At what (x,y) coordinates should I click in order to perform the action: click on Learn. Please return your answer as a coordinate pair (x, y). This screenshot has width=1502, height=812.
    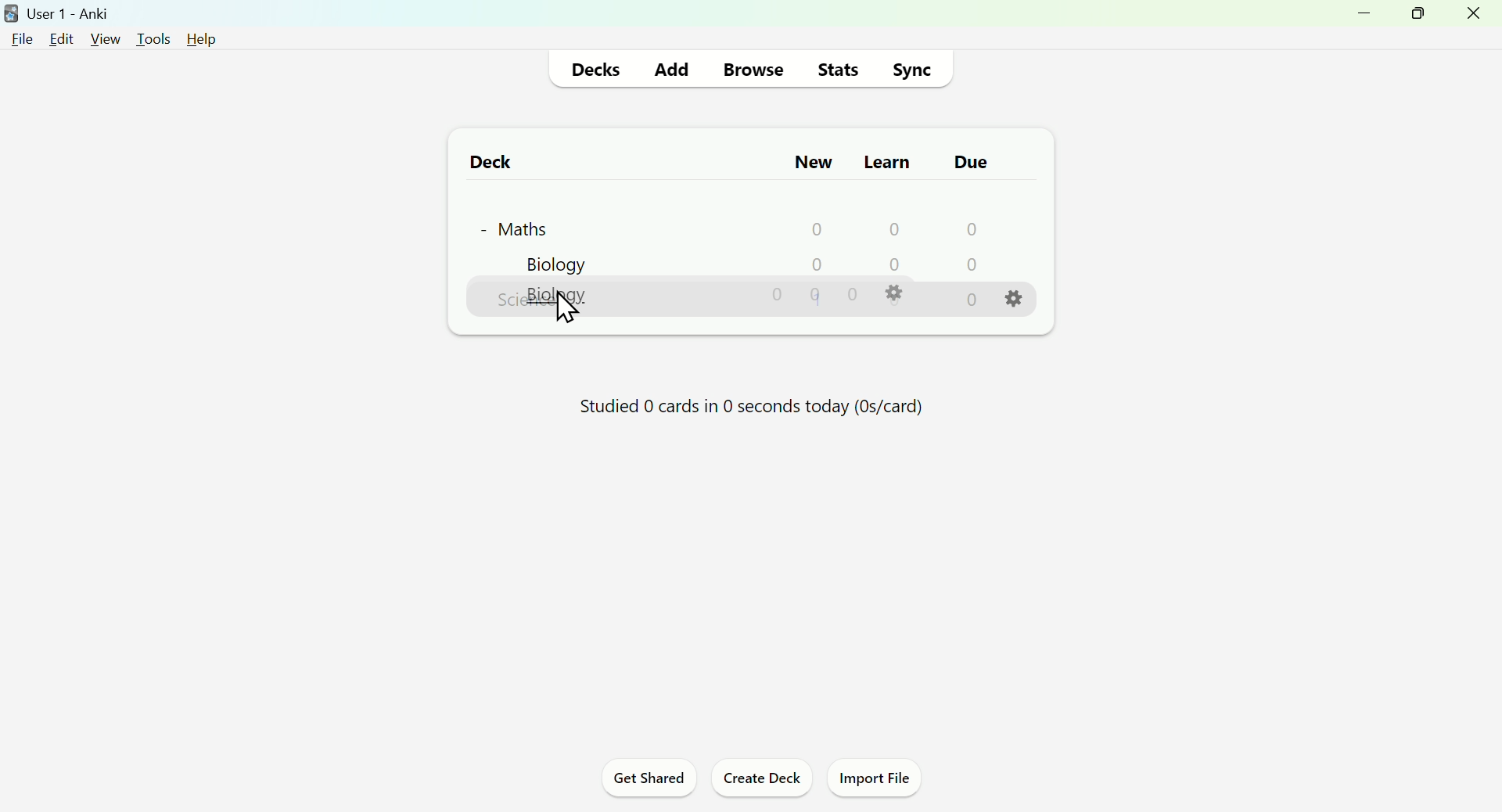
    Looking at the image, I should click on (889, 161).